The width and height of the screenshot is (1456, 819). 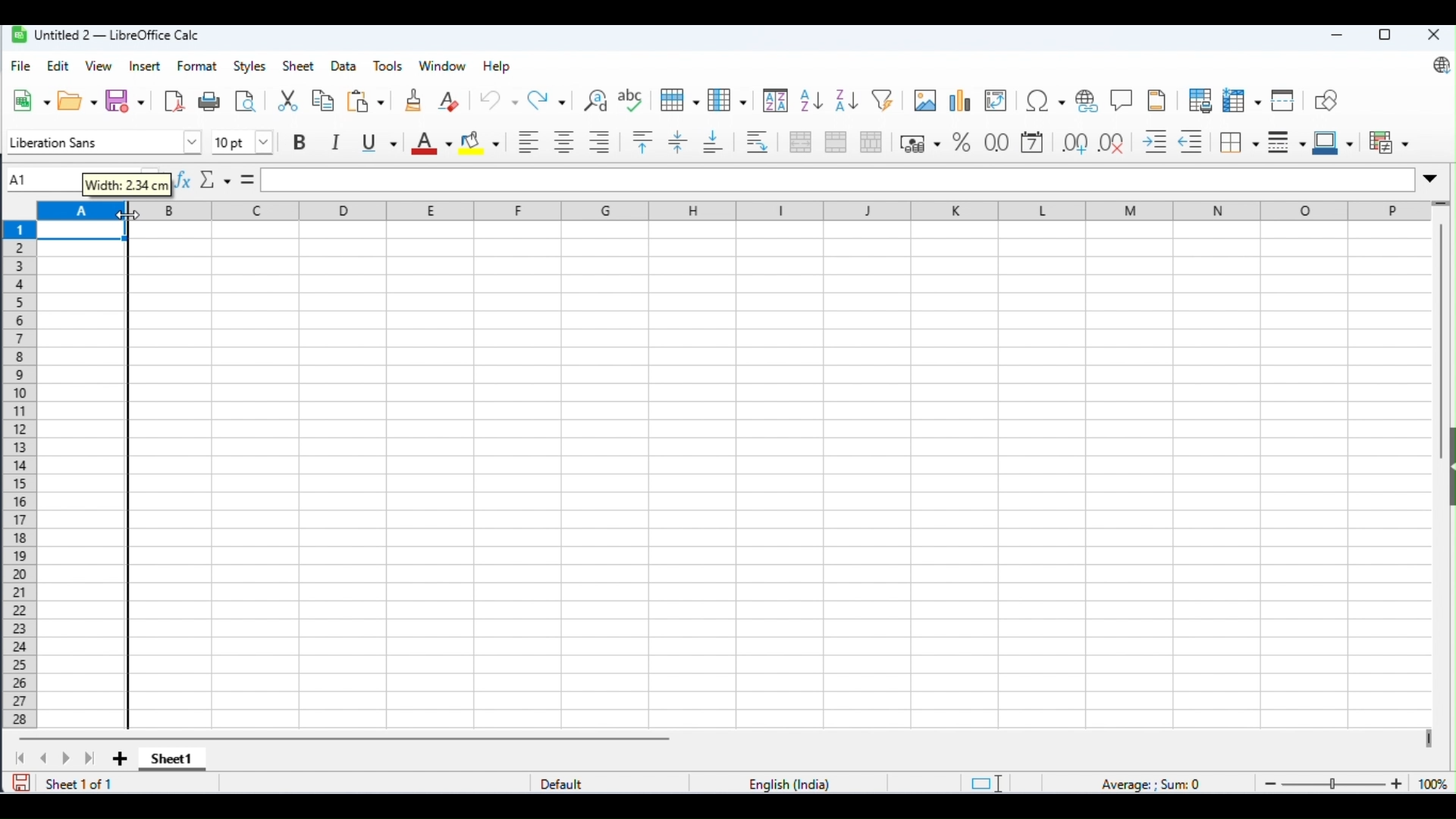 I want to click on copy, so click(x=323, y=101).